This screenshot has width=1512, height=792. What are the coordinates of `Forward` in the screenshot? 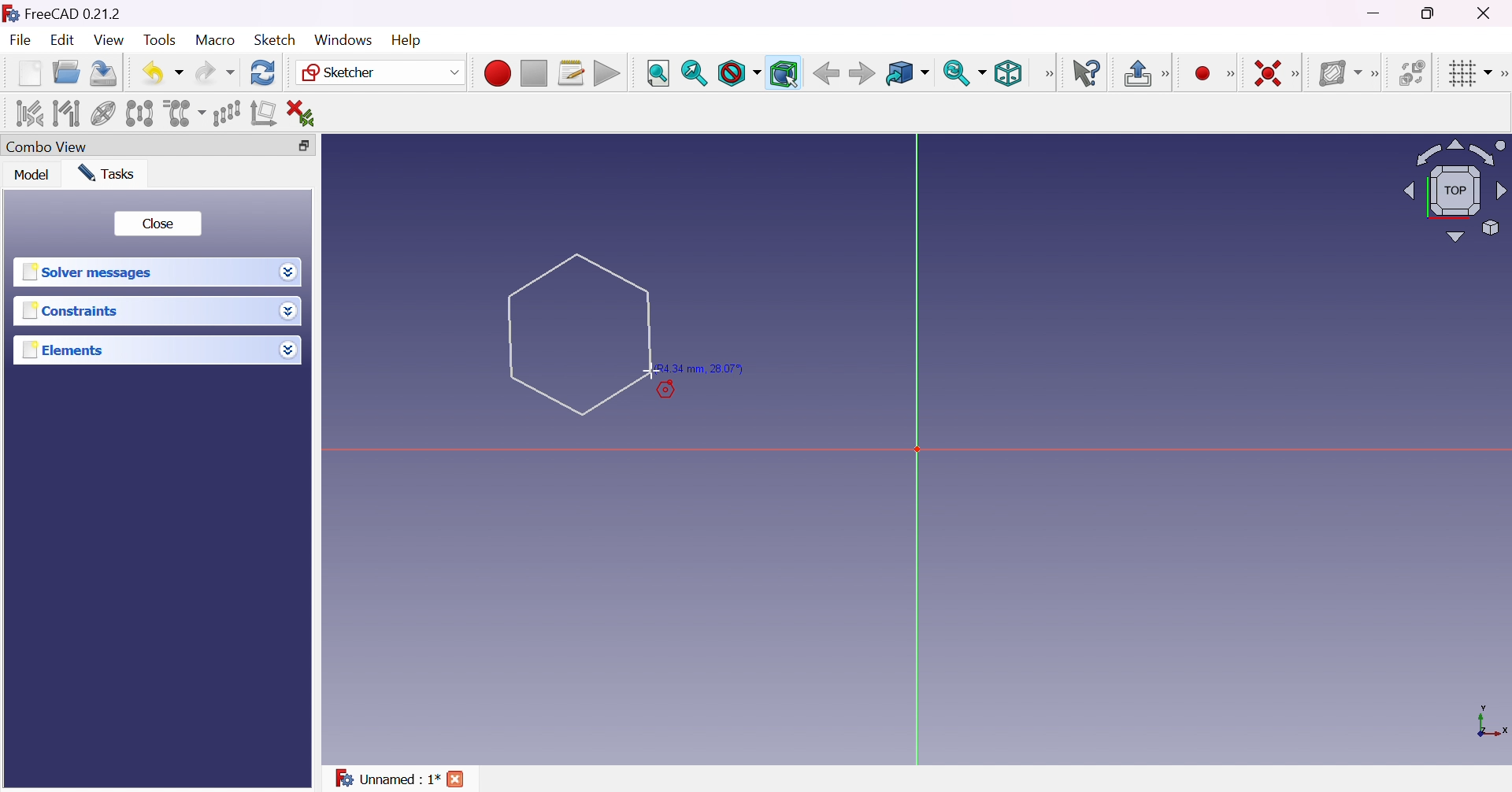 It's located at (863, 72).